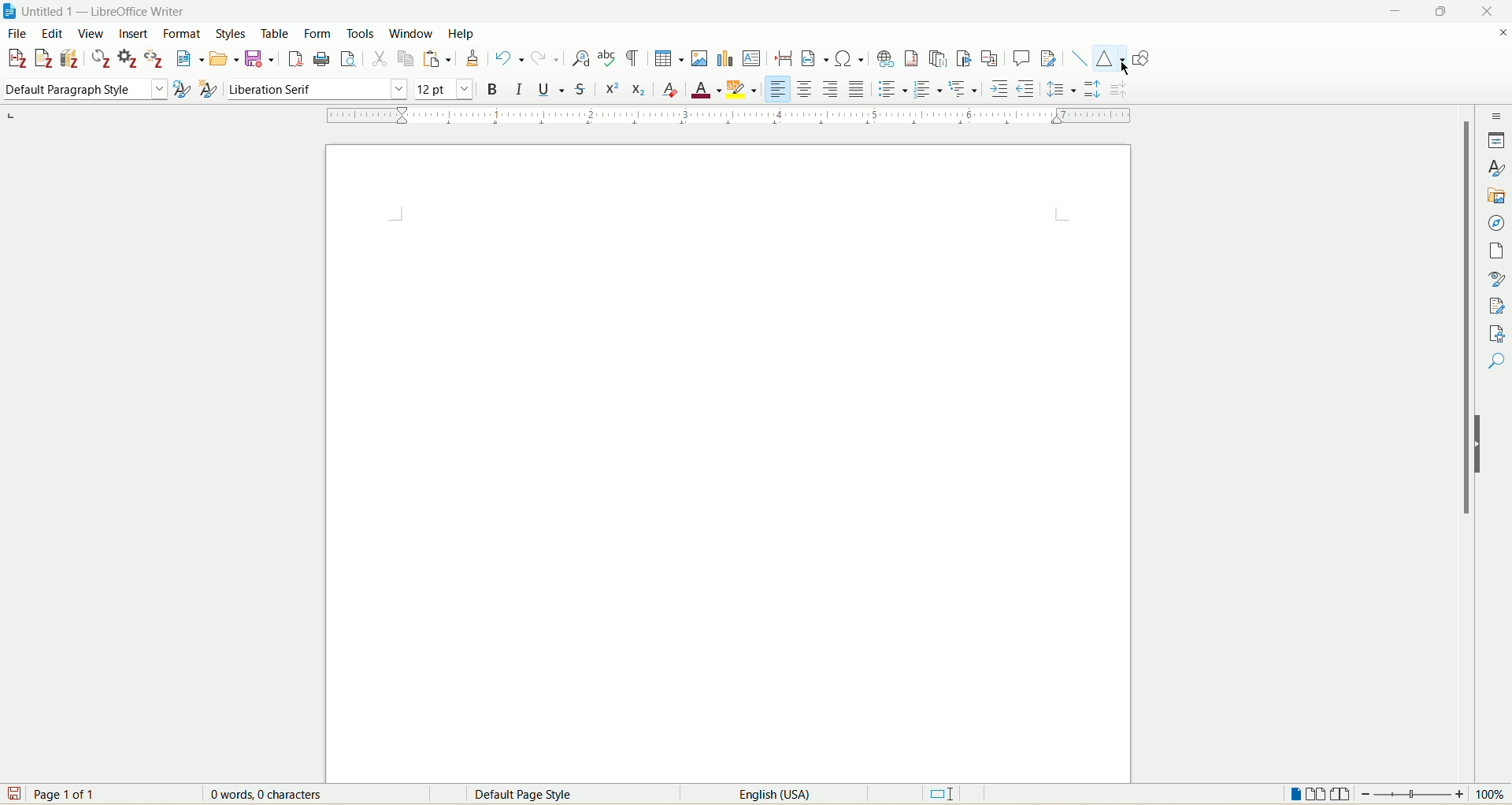 The image size is (1512, 805). Describe the element at coordinates (1062, 88) in the screenshot. I see `set line spacing` at that location.